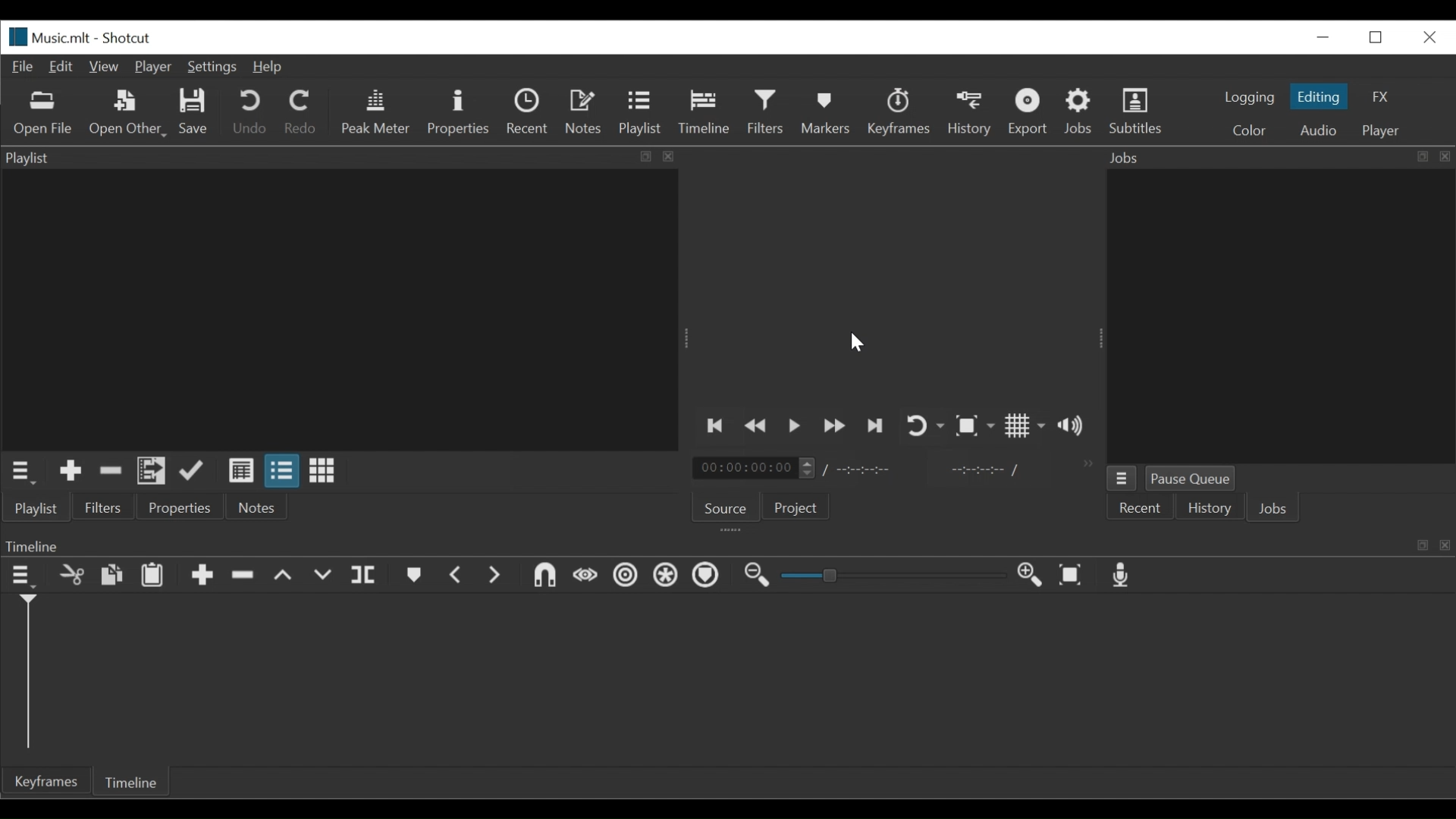 This screenshot has width=1456, height=819. Describe the element at coordinates (1140, 507) in the screenshot. I see `Recent` at that location.